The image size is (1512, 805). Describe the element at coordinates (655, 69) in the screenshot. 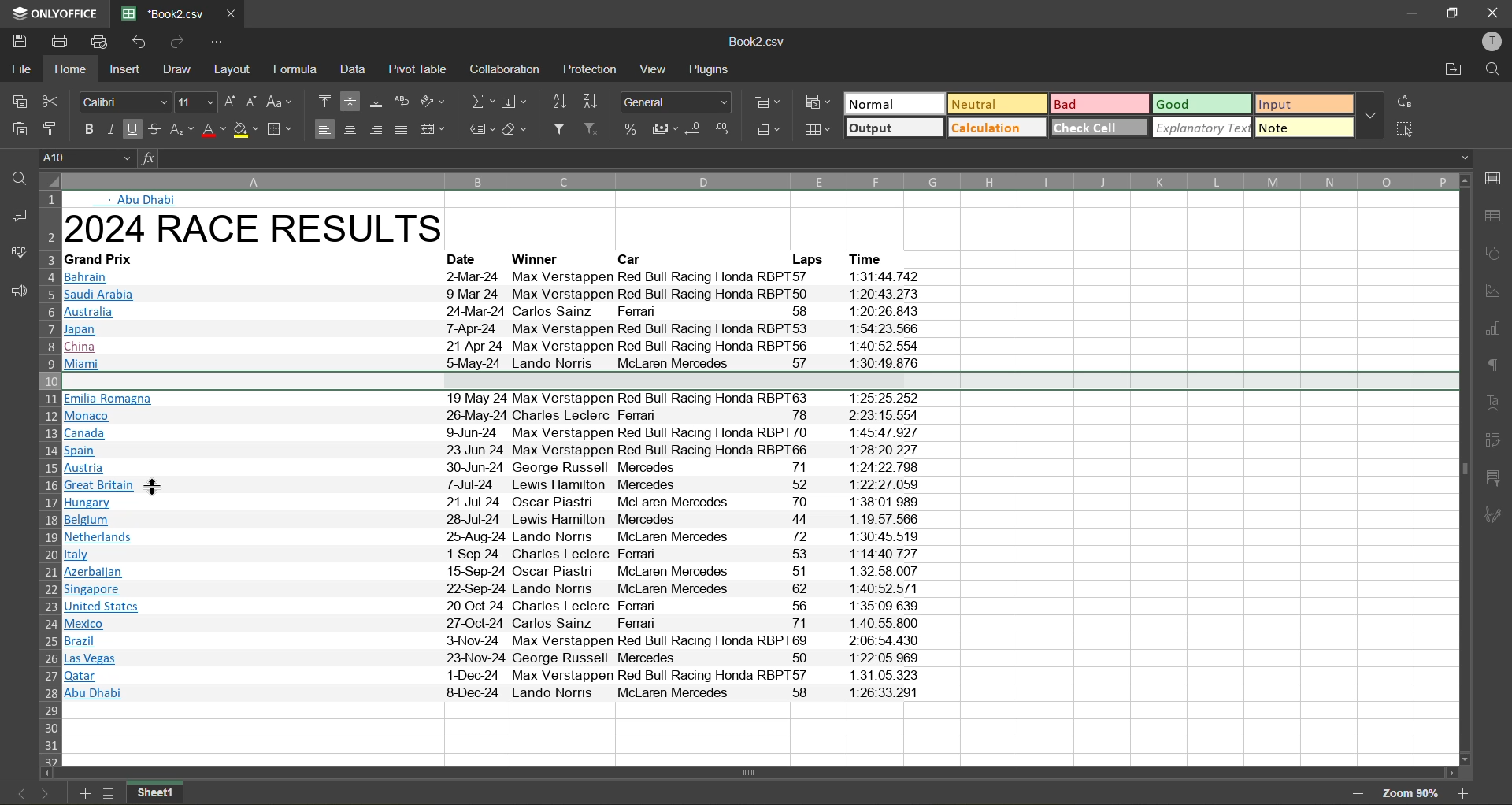

I see `view` at that location.